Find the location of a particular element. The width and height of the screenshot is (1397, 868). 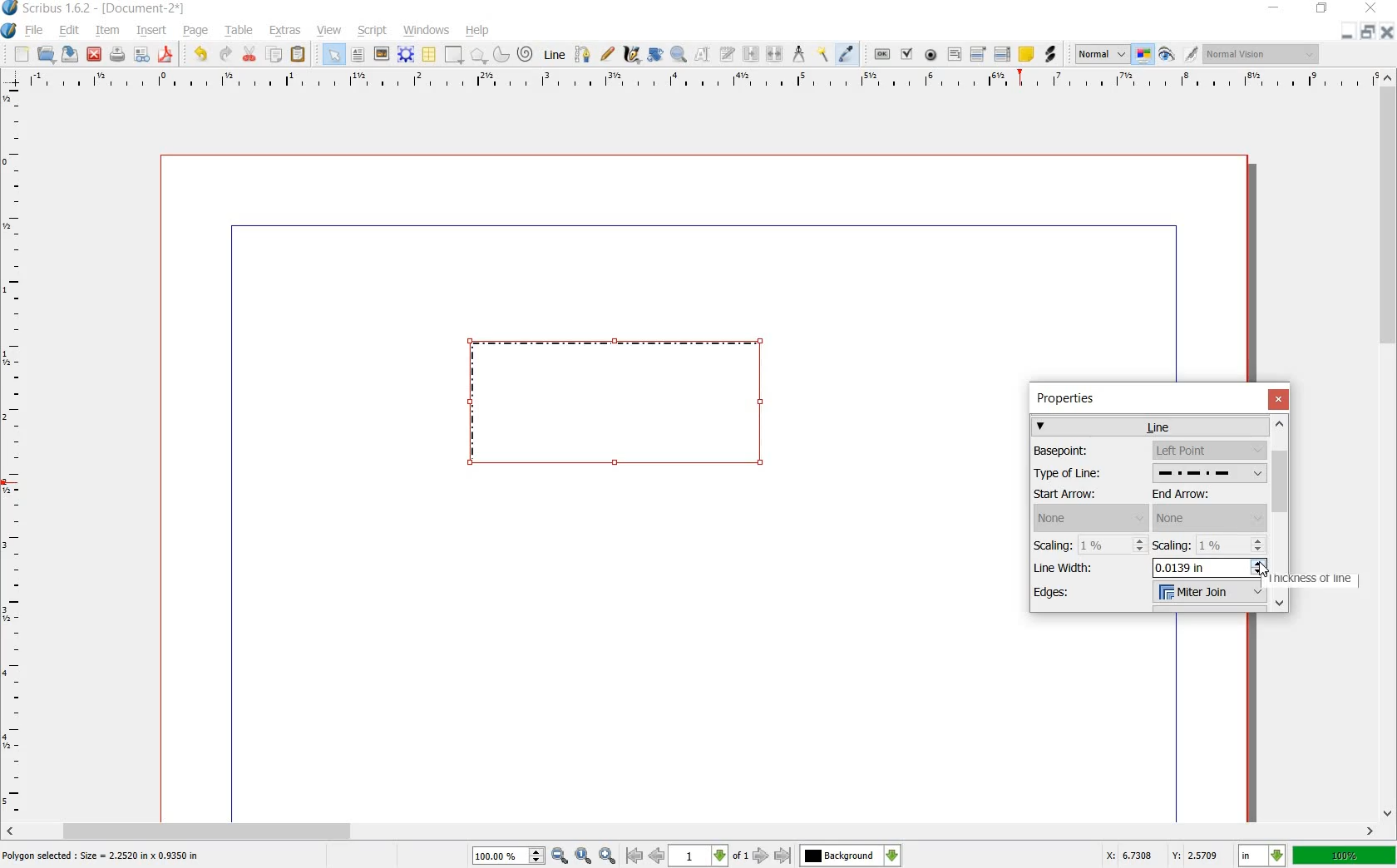

EDIT is located at coordinates (68, 31).